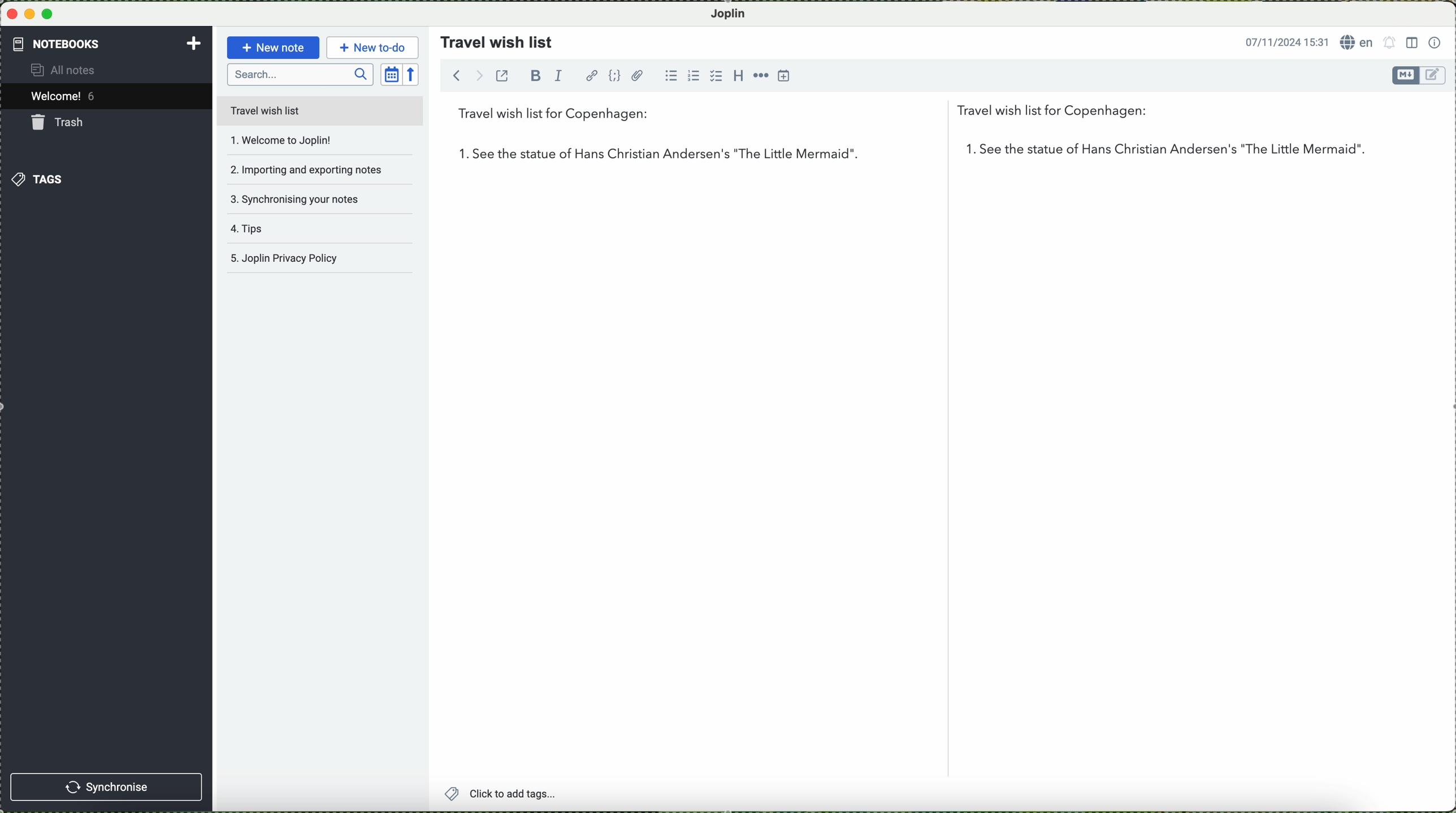  I want to click on notebooks tab, so click(107, 44).